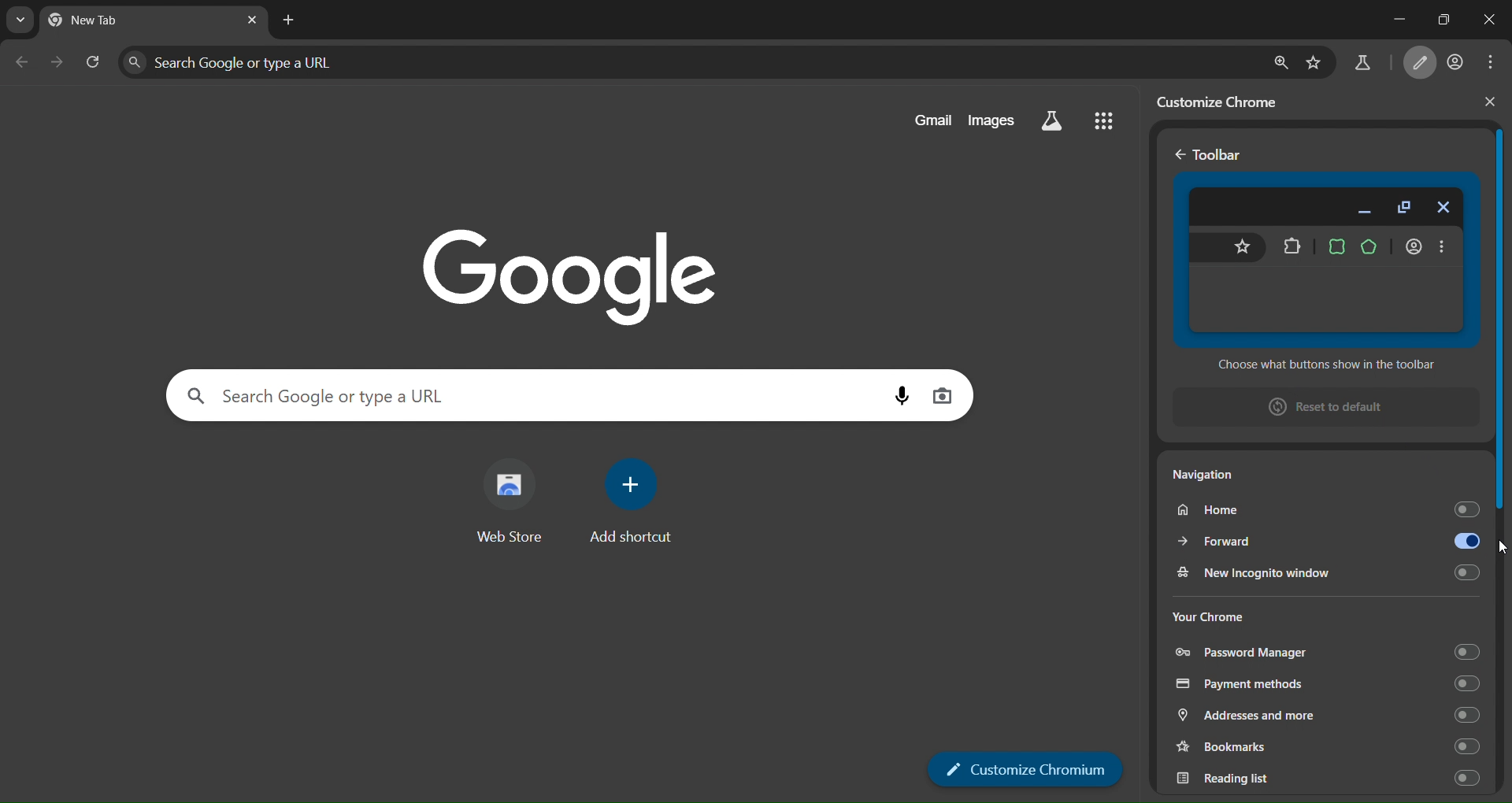  Describe the element at coordinates (1325, 573) in the screenshot. I see `new incognito mode` at that location.